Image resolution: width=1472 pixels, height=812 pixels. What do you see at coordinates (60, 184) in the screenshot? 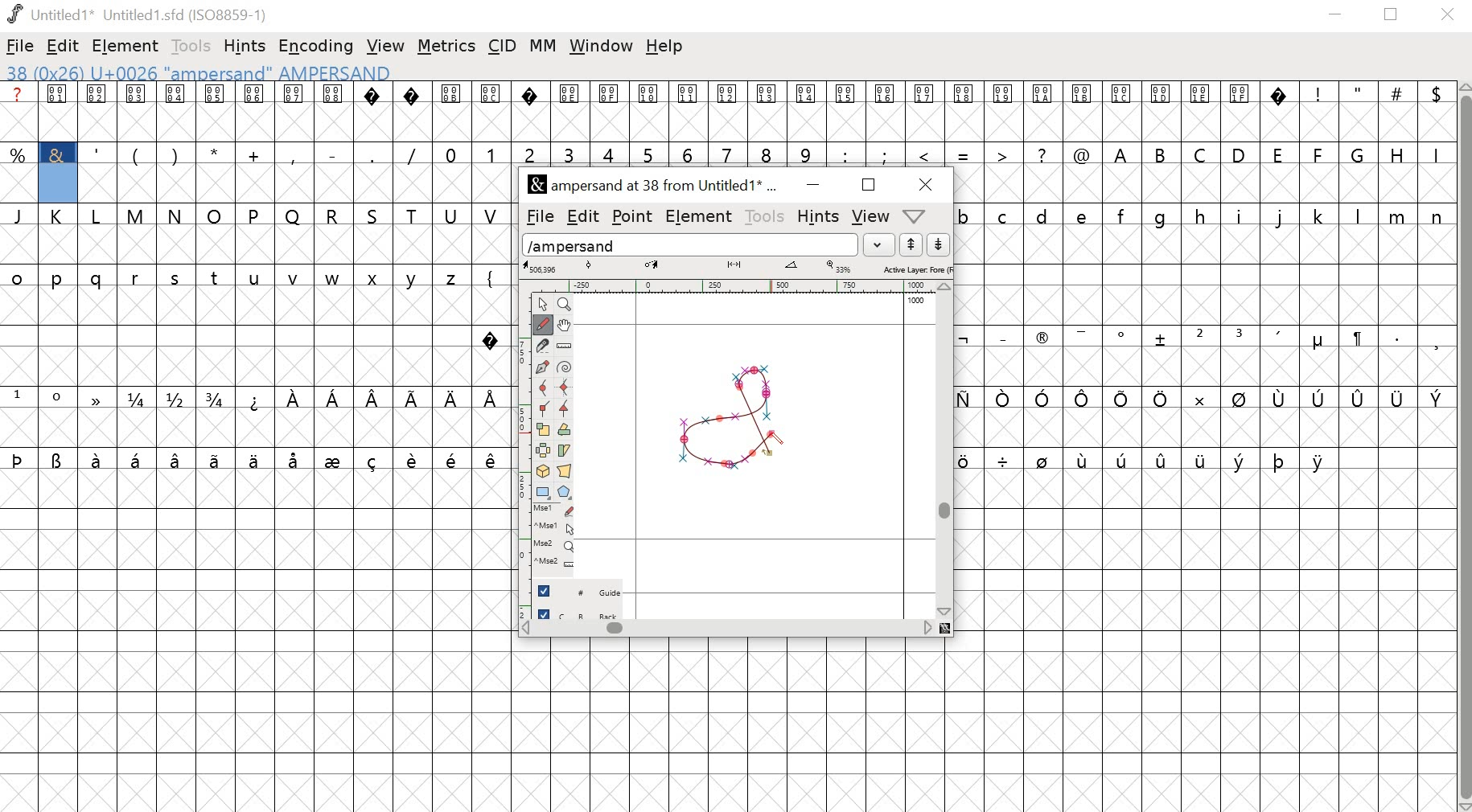
I see `glyphy slot` at bounding box center [60, 184].